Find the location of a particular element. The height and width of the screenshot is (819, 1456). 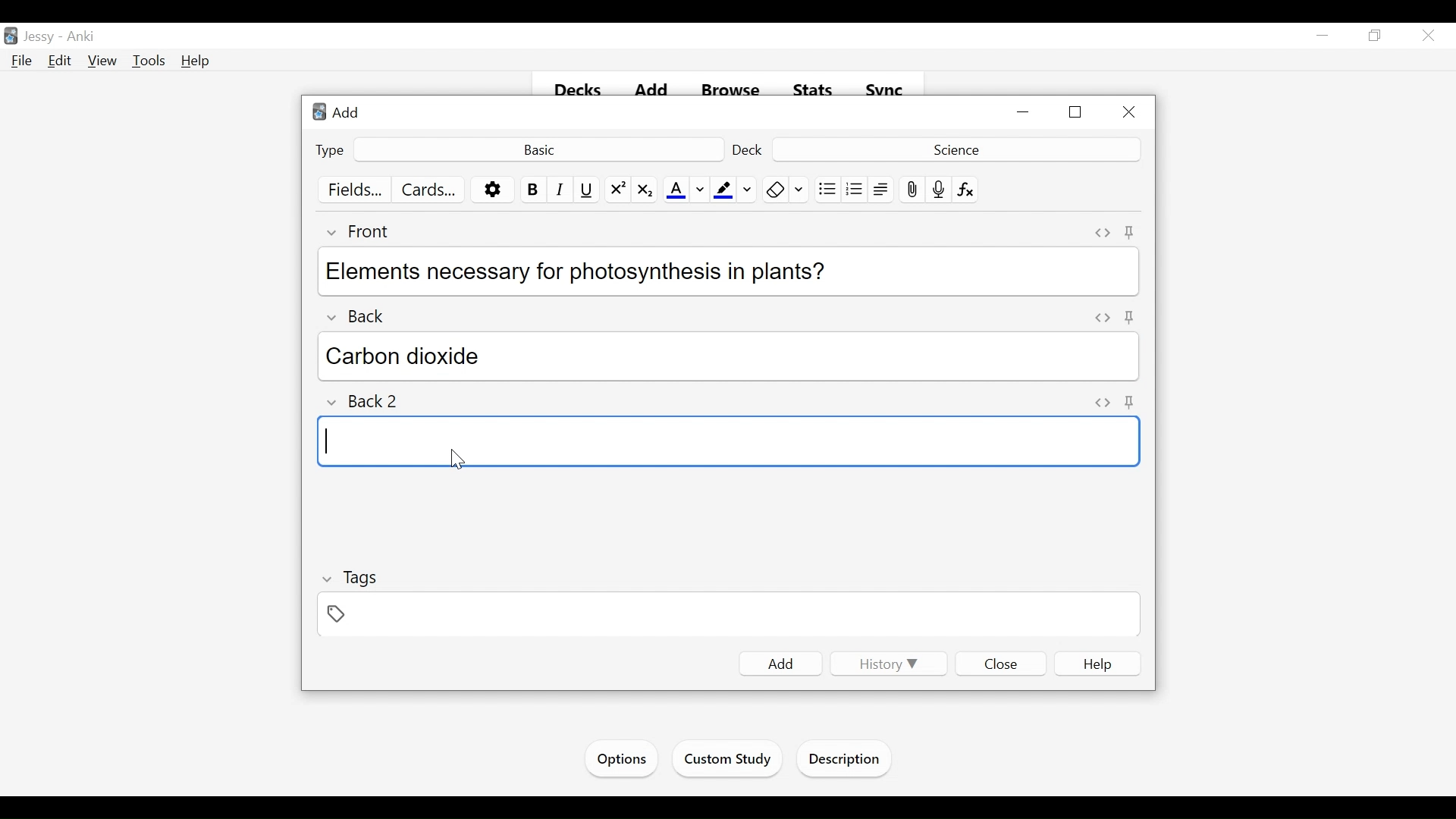

Carbon Dioxide is located at coordinates (731, 356).